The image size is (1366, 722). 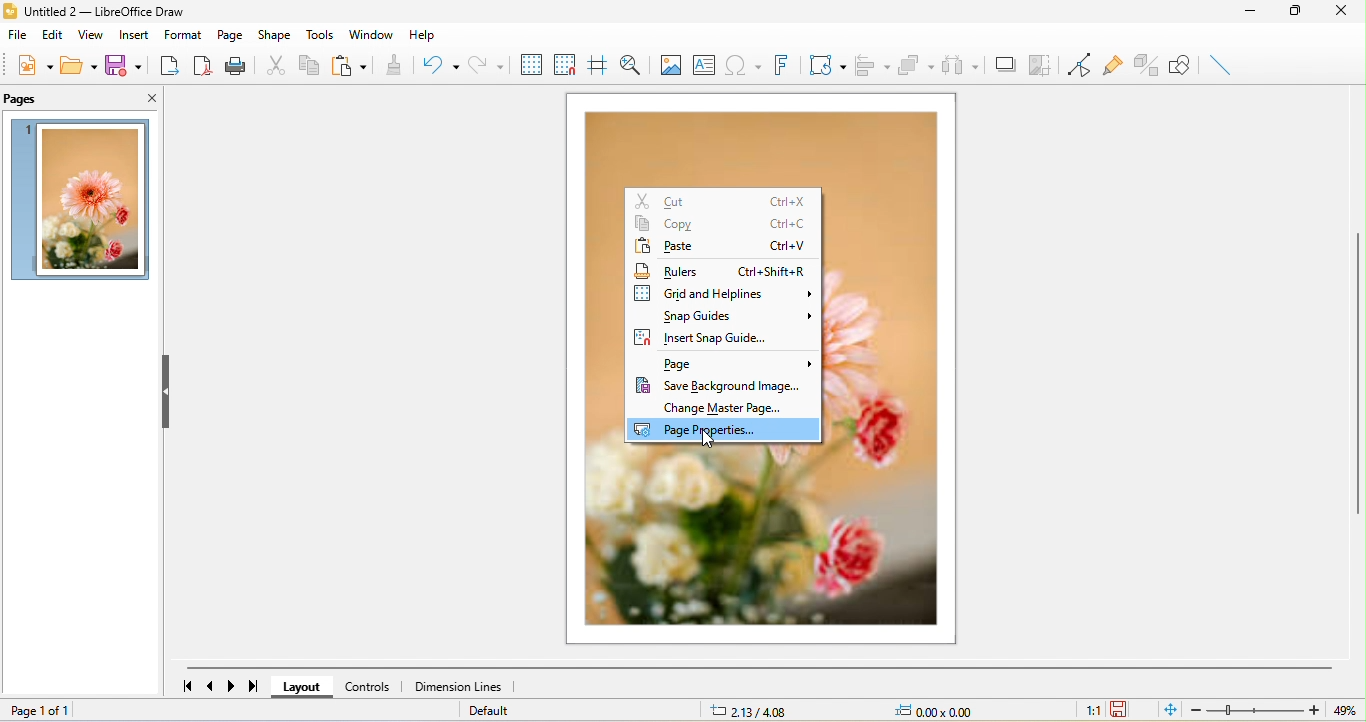 I want to click on show draw function, so click(x=1181, y=65).